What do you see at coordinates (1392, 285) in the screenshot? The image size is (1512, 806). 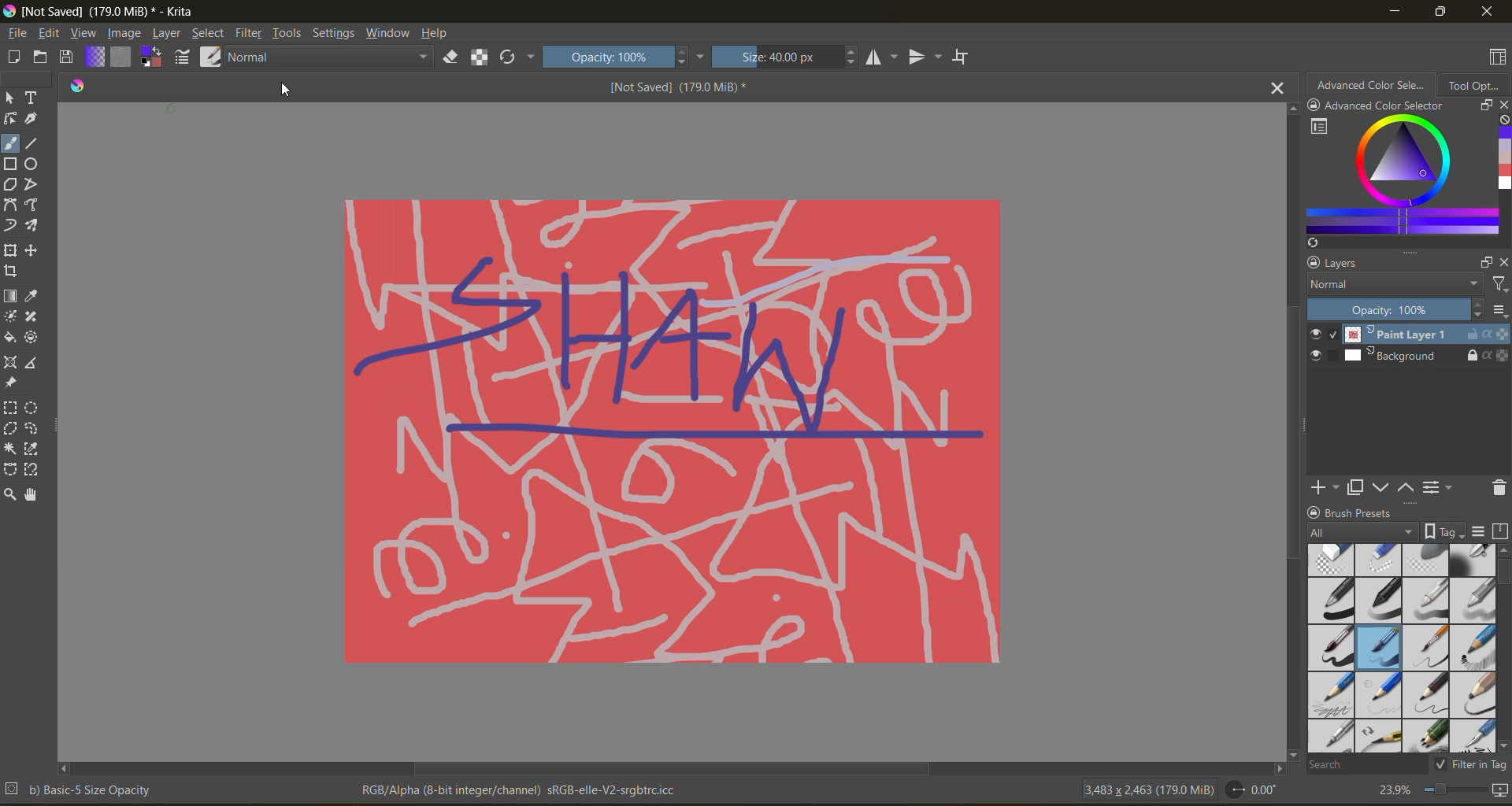 I see `normal` at bounding box center [1392, 285].